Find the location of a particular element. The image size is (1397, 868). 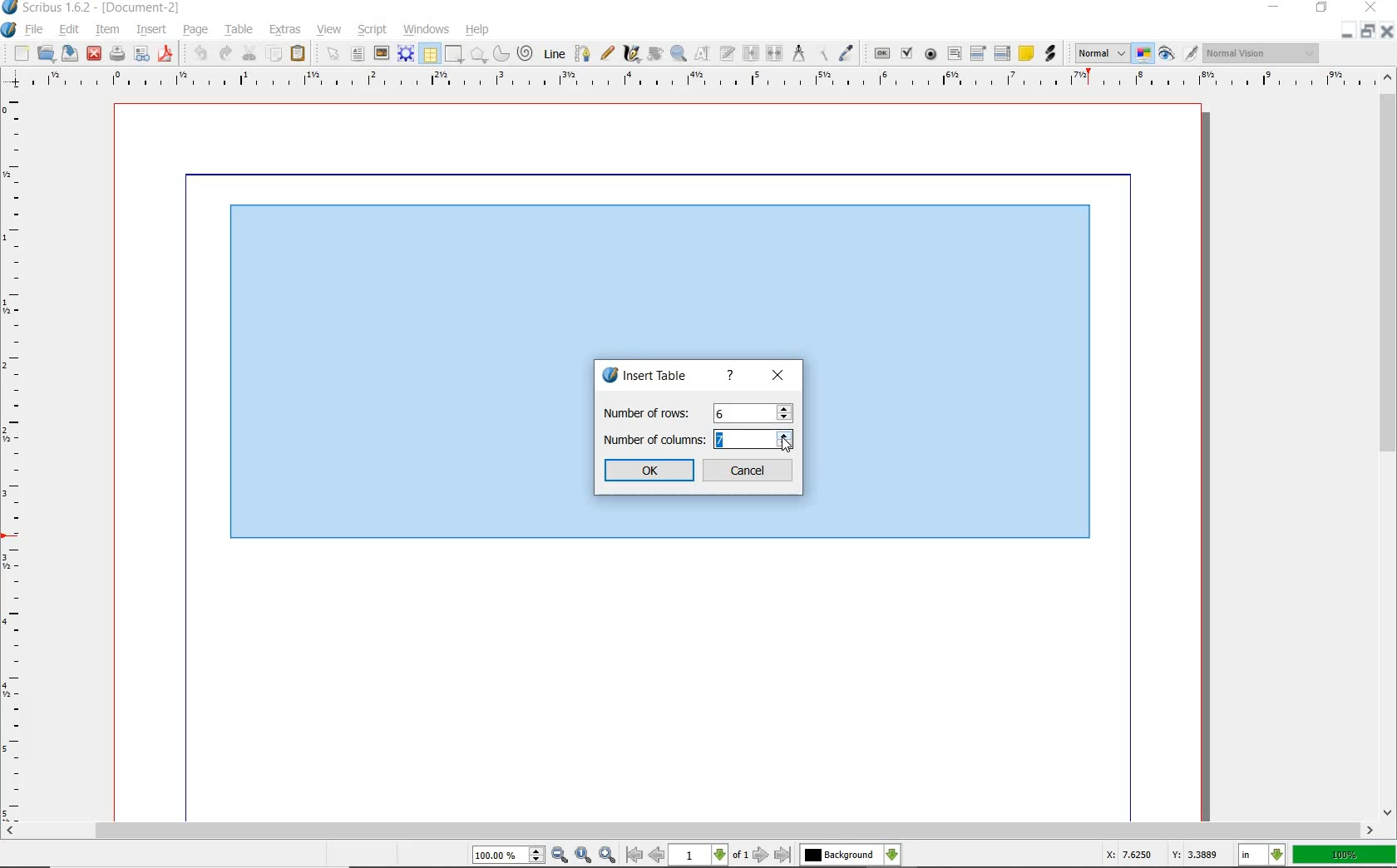

select item is located at coordinates (332, 52).